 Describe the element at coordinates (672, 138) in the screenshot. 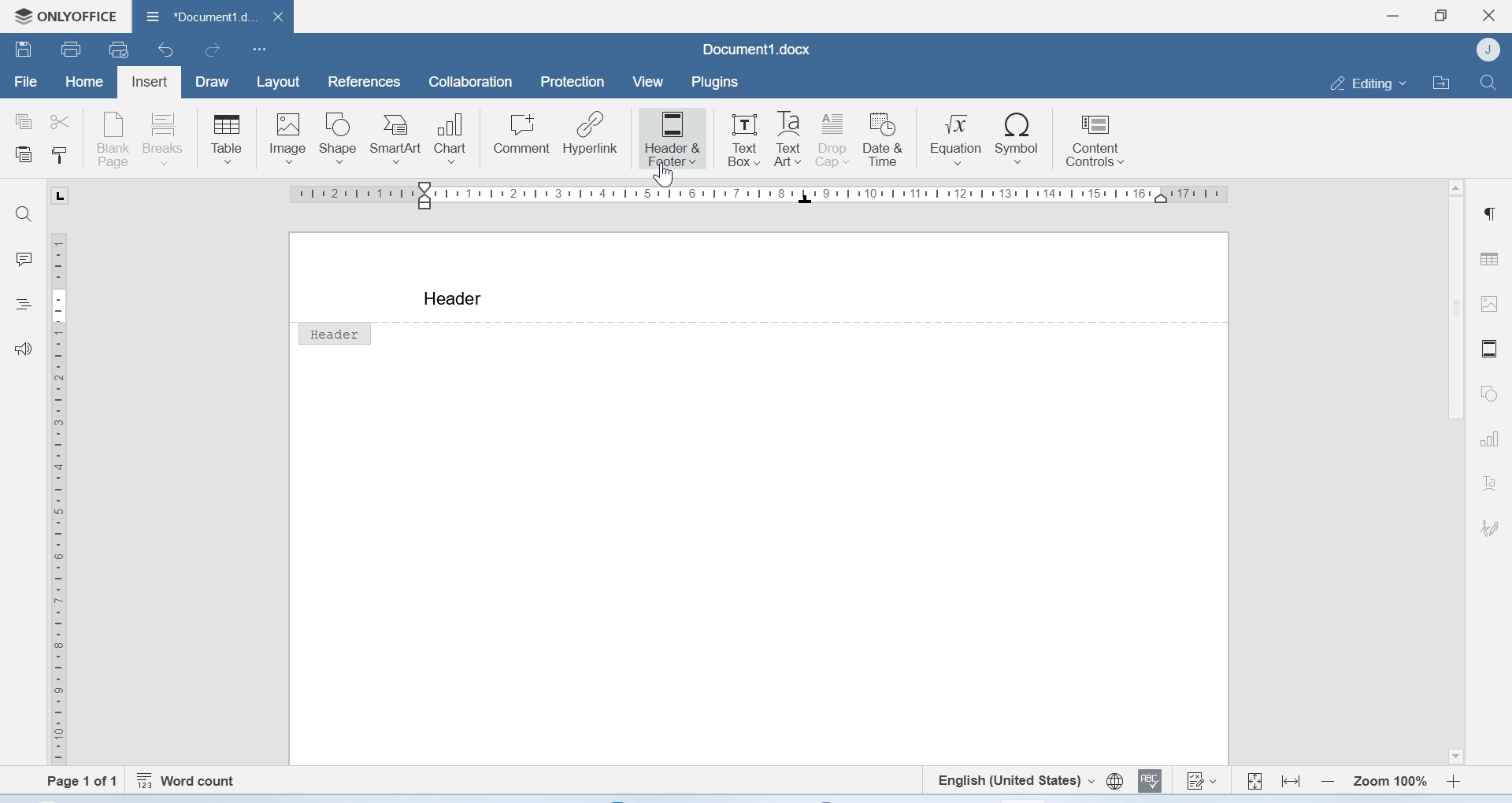

I see `Header & Footer` at that location.